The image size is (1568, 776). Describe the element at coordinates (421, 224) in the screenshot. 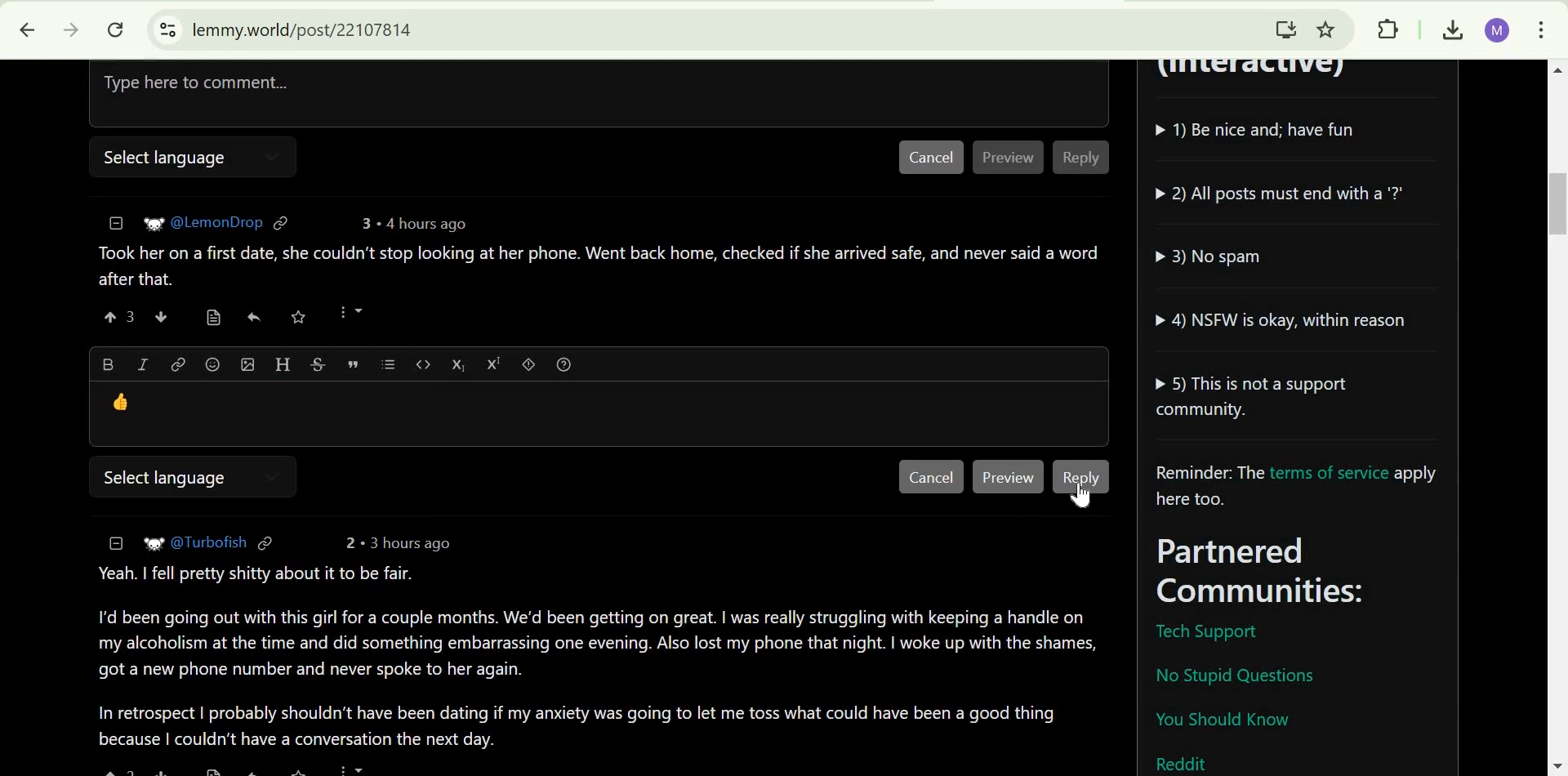

I see `4 hours ago` at that location.